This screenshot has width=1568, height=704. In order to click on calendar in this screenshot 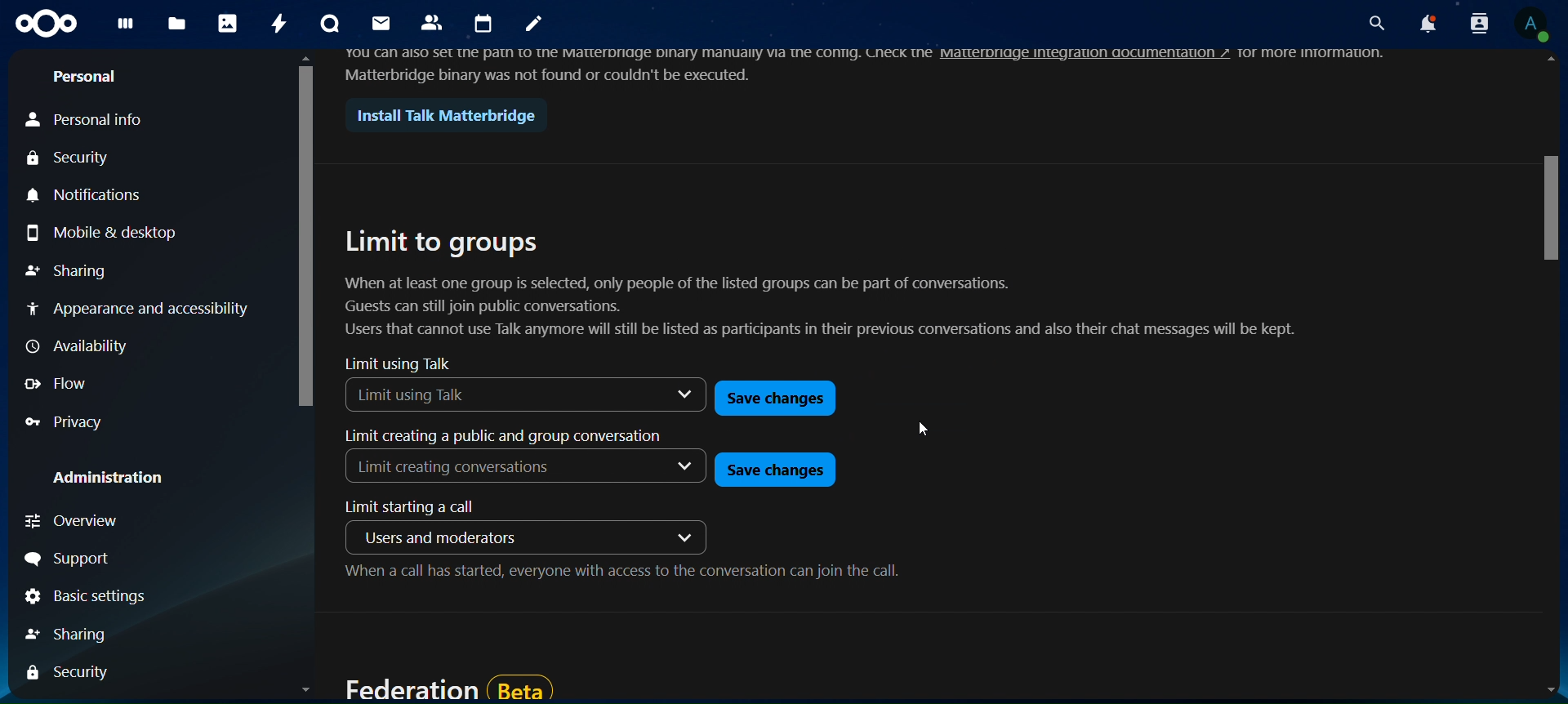, I will do `click(486, 25)`.